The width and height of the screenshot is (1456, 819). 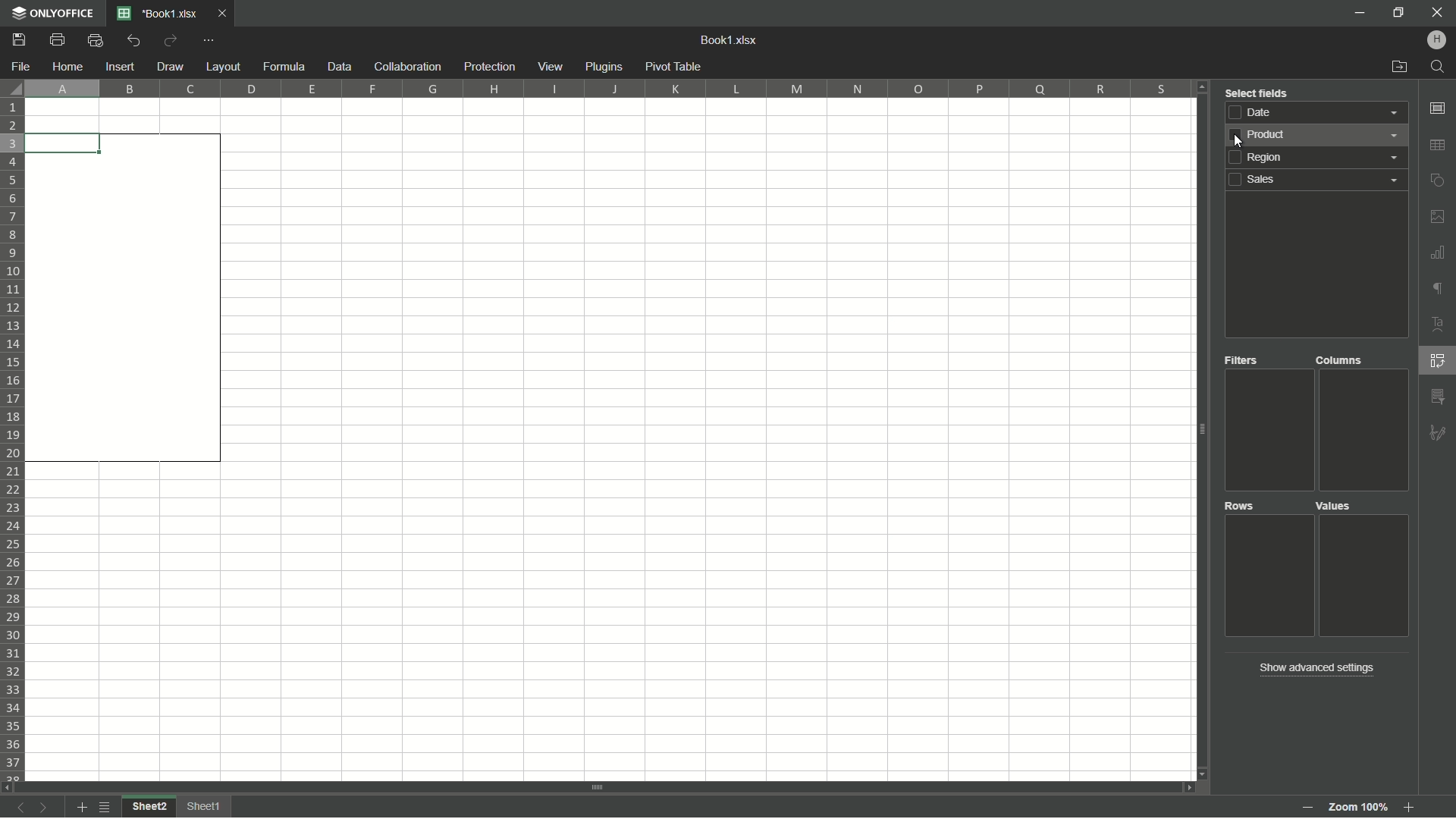 What do you see at coordinates (47, 808) in the screenshot?
I see `next sheet` at bounding box center [47, 808].